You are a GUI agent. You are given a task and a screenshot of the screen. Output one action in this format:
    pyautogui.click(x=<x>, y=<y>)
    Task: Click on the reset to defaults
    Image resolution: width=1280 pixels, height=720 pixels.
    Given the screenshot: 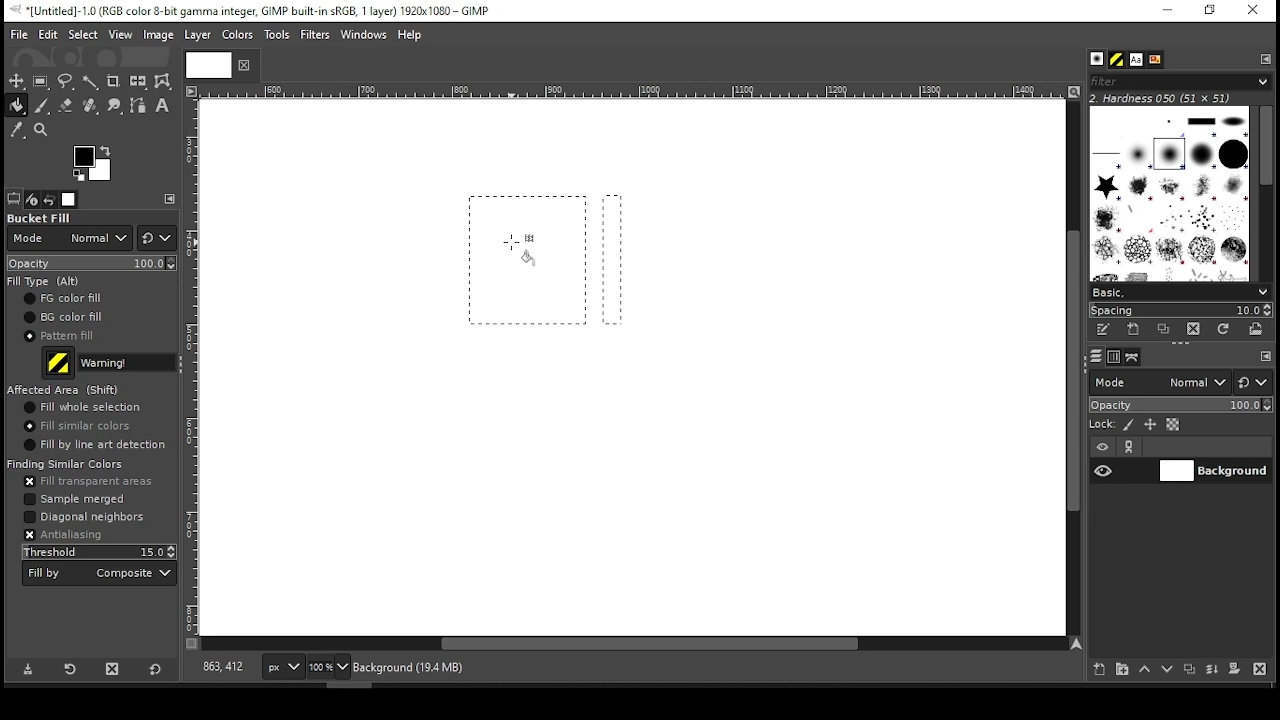 What is the action you would take?
    pyautogui.click(x=156, y=670)
    